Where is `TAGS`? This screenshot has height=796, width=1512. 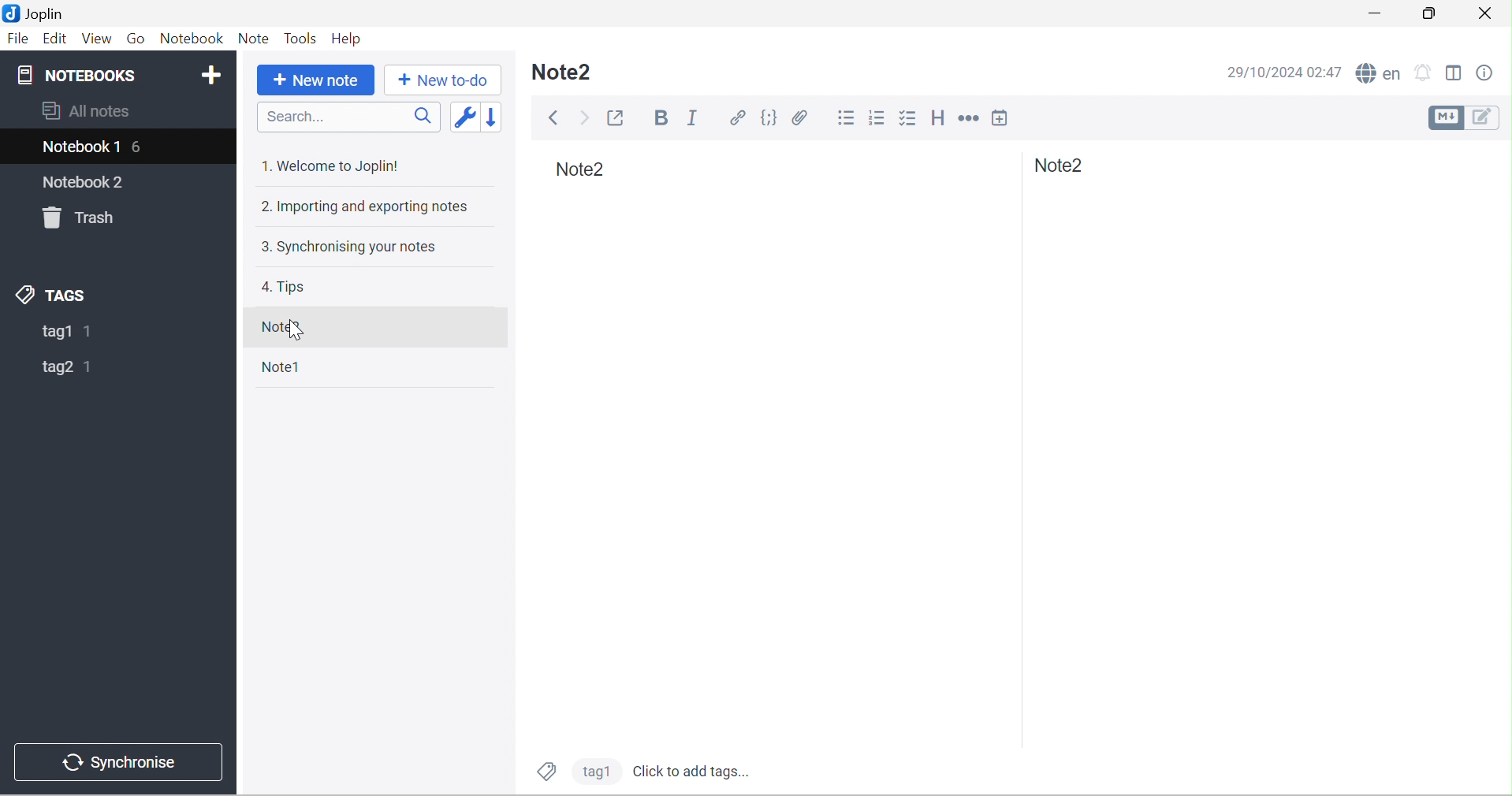
TAGS is located at coordinates (54, 296).